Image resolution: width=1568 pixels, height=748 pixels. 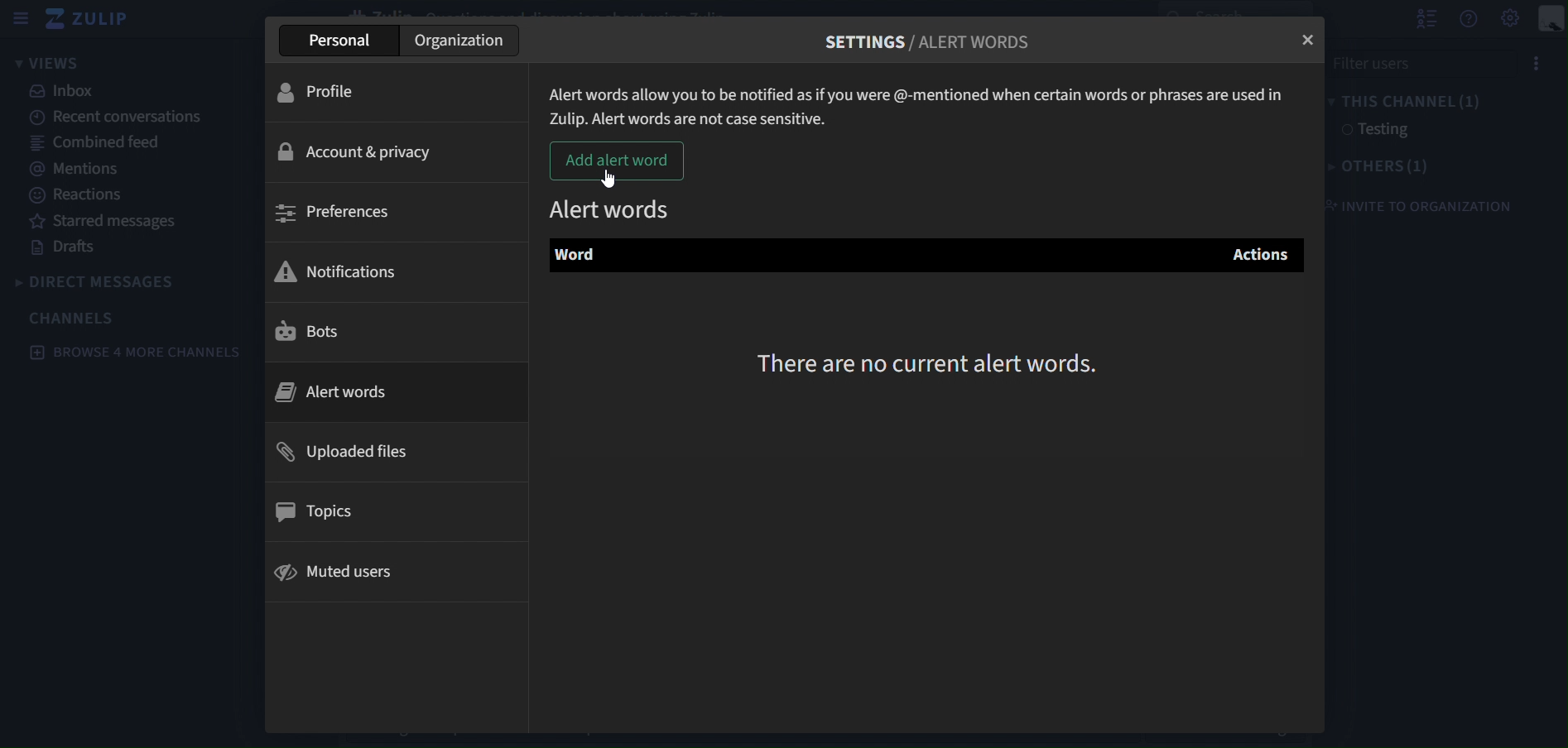 I want to click on settings/alert words, so click(x=930, y=39).